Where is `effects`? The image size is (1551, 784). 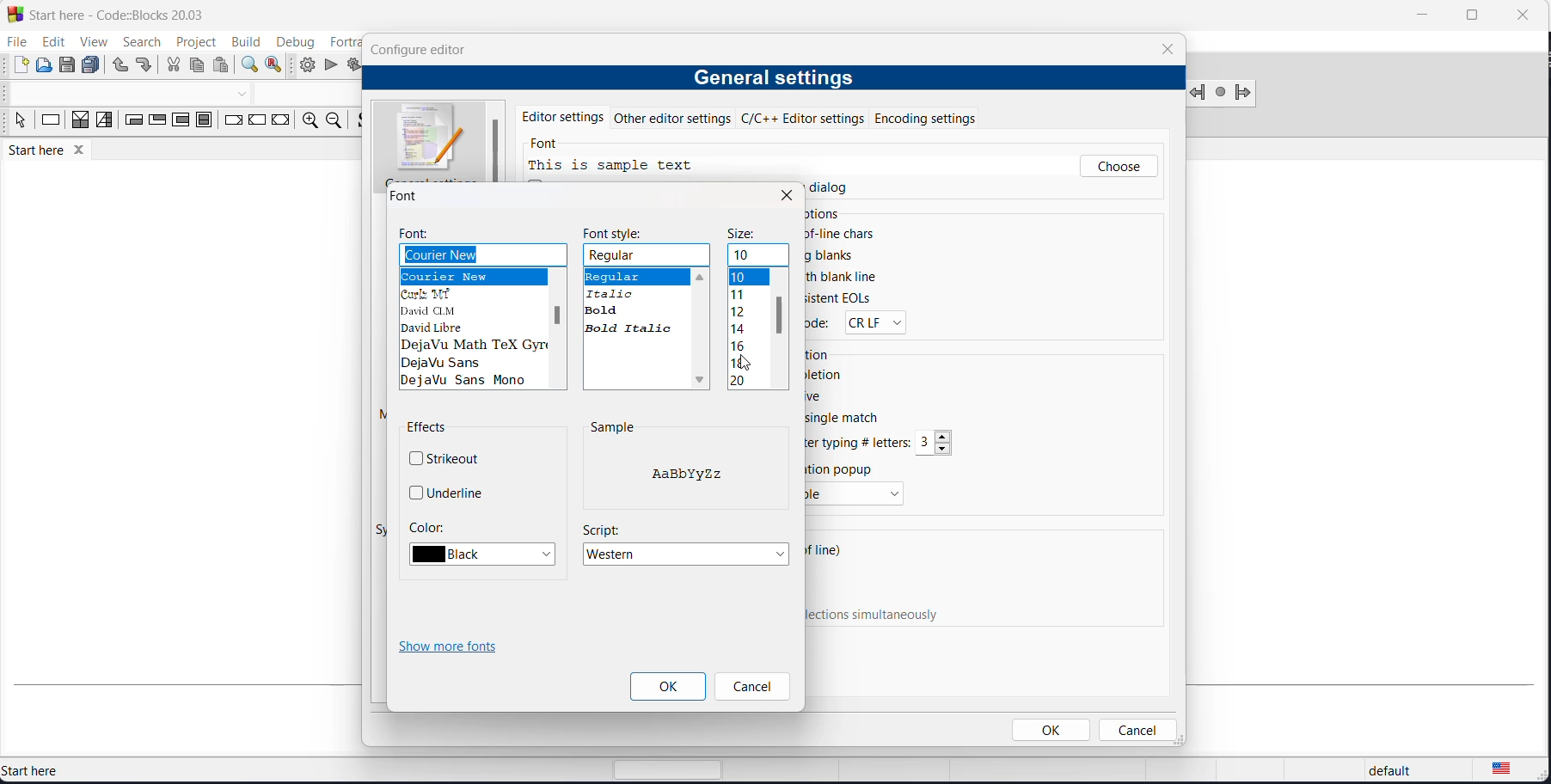
effects is located at coordinates (429, 429).